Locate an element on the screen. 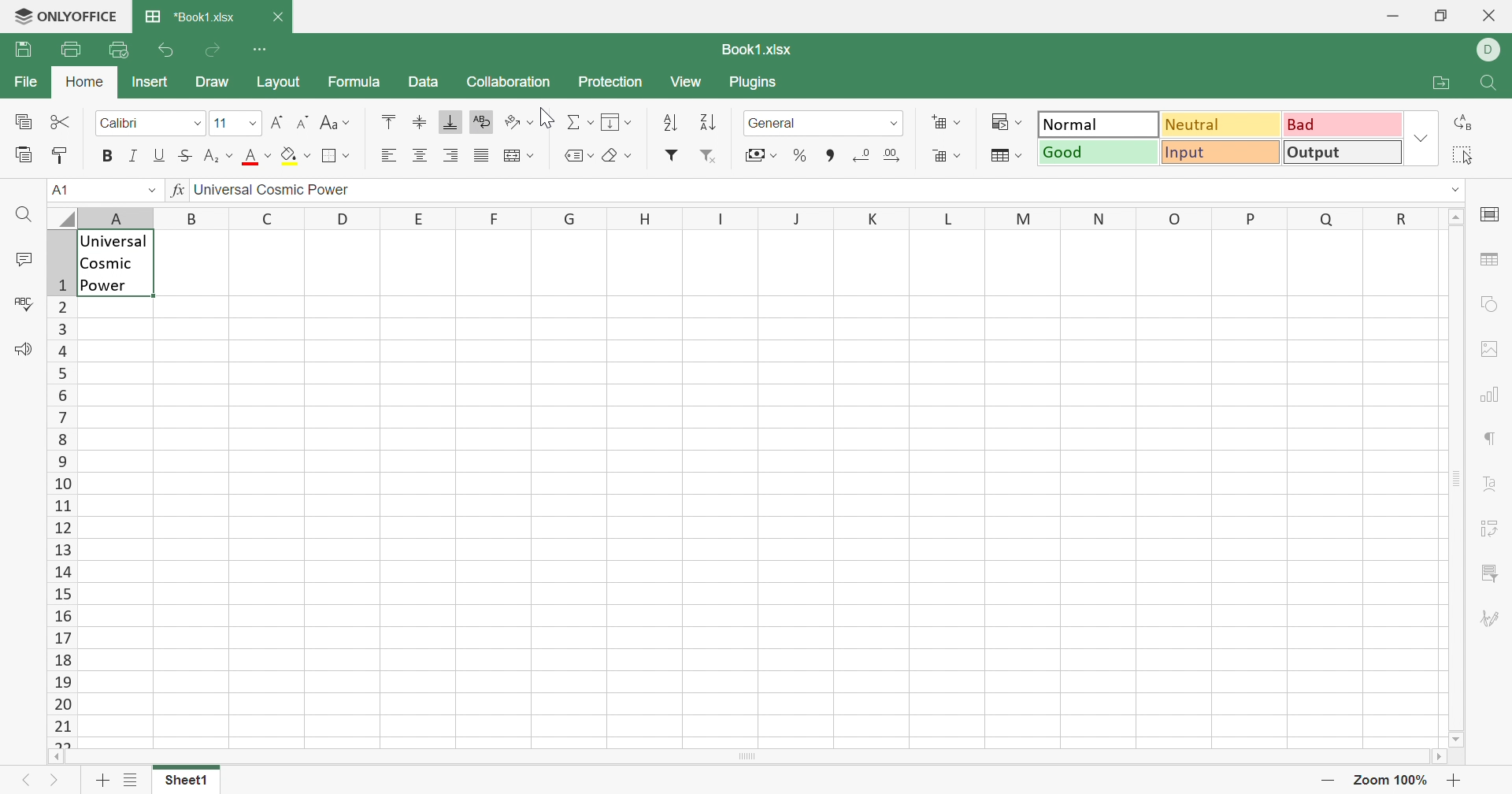 This screenshot has width=1512, height=794. Customize Quick Access Toolbar is located at coordinates (263, 50).